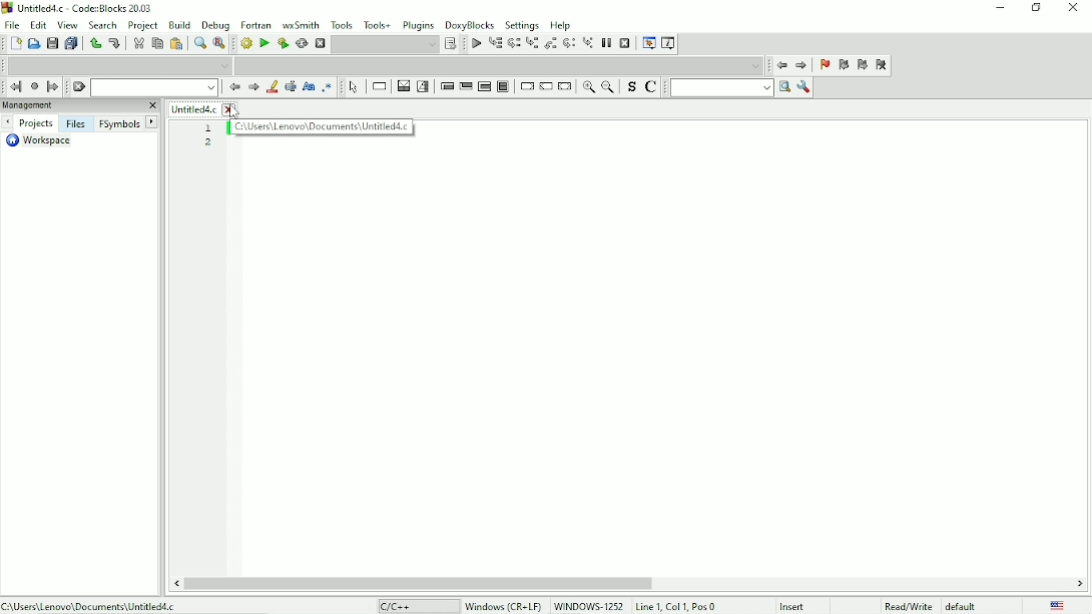  Describe the element at coordinates (500, 65) in the screenshot. I see `Drop down` at that location.